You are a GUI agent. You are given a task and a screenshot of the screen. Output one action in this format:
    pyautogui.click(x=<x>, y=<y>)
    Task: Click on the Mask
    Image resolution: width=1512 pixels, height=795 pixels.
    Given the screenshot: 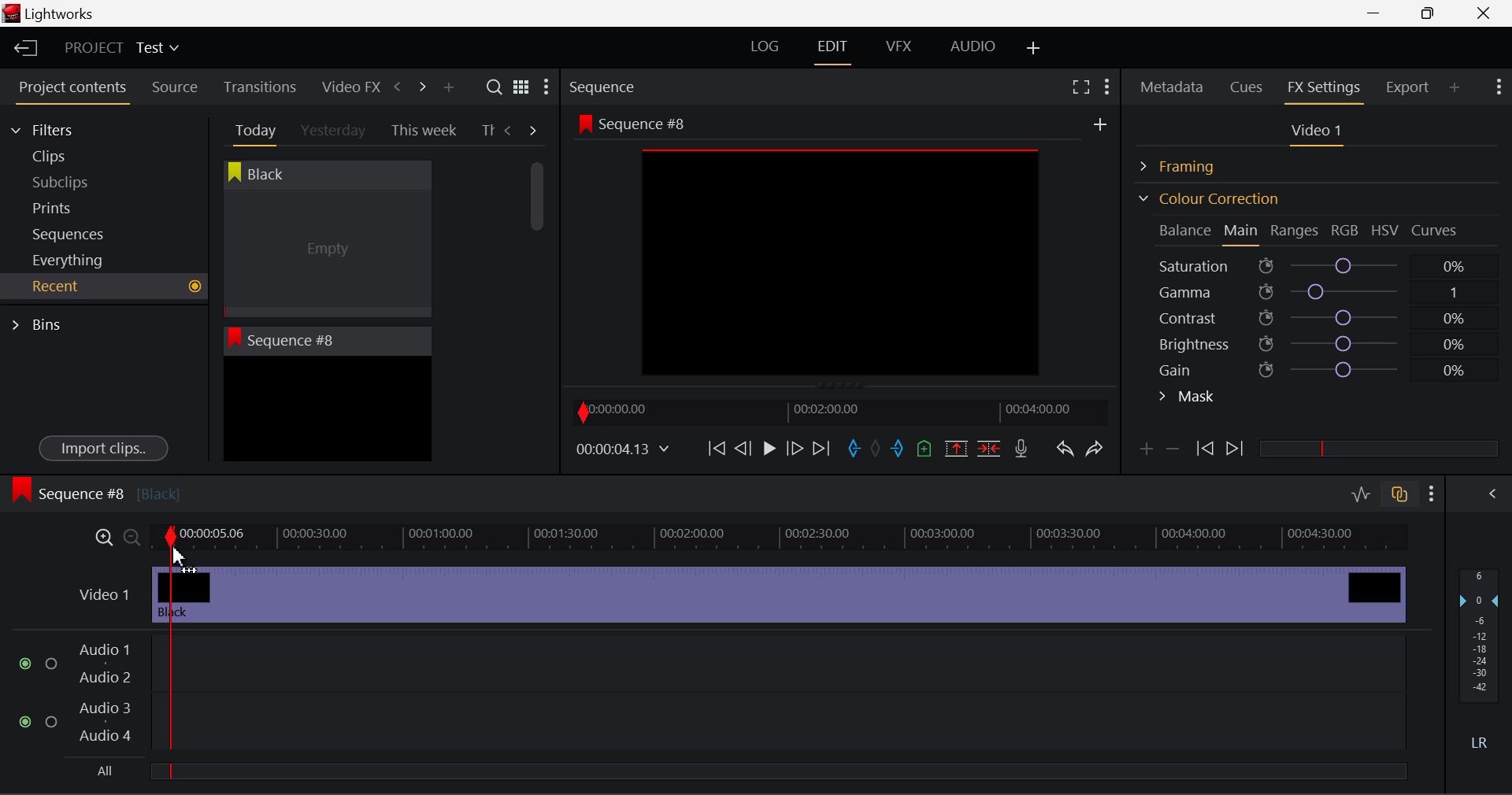 What is the action you would take?
    pyautogui.click(x=1188, y=398)
    